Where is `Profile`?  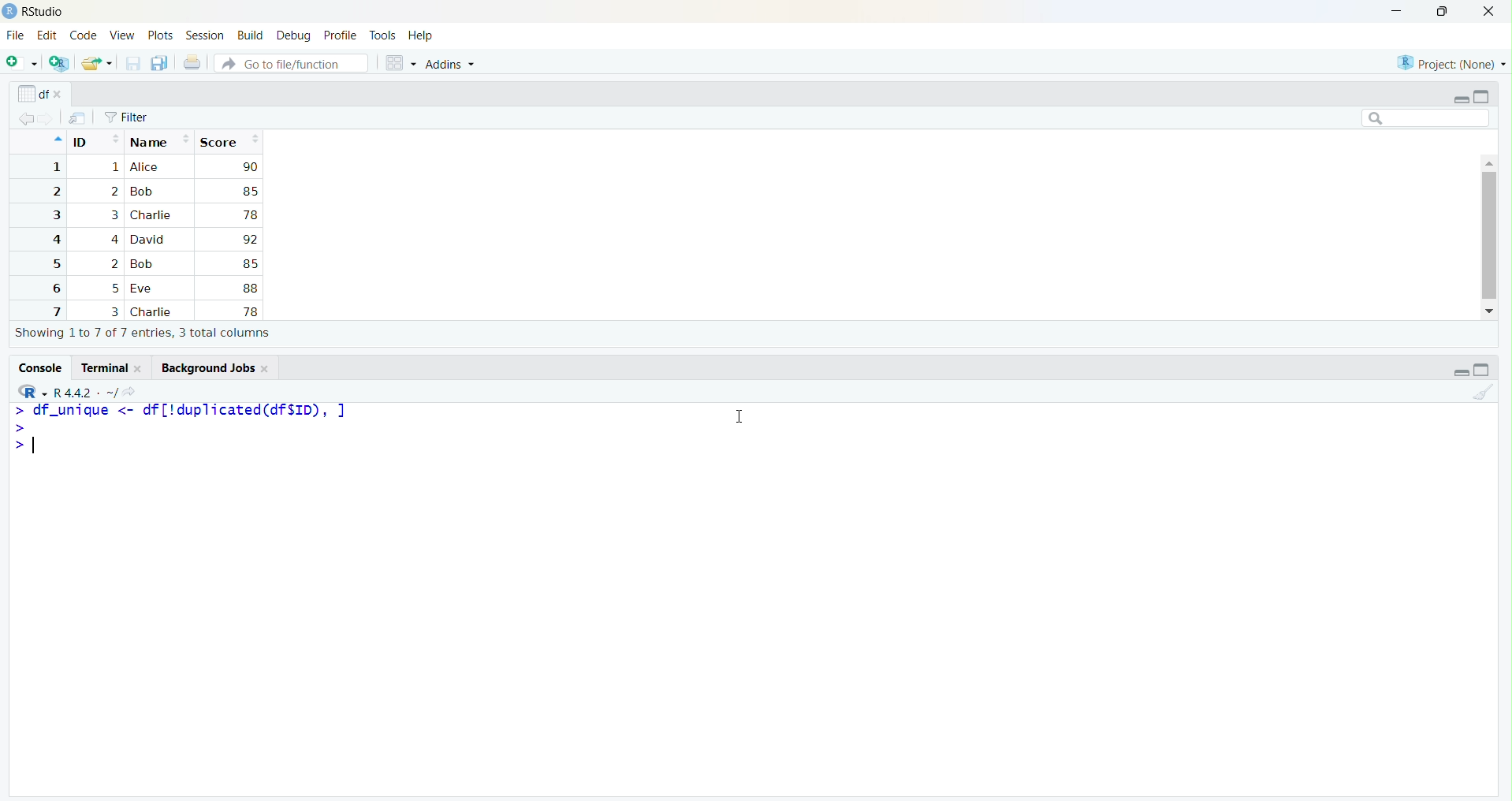
Profile is located at coordinates (341, 36).